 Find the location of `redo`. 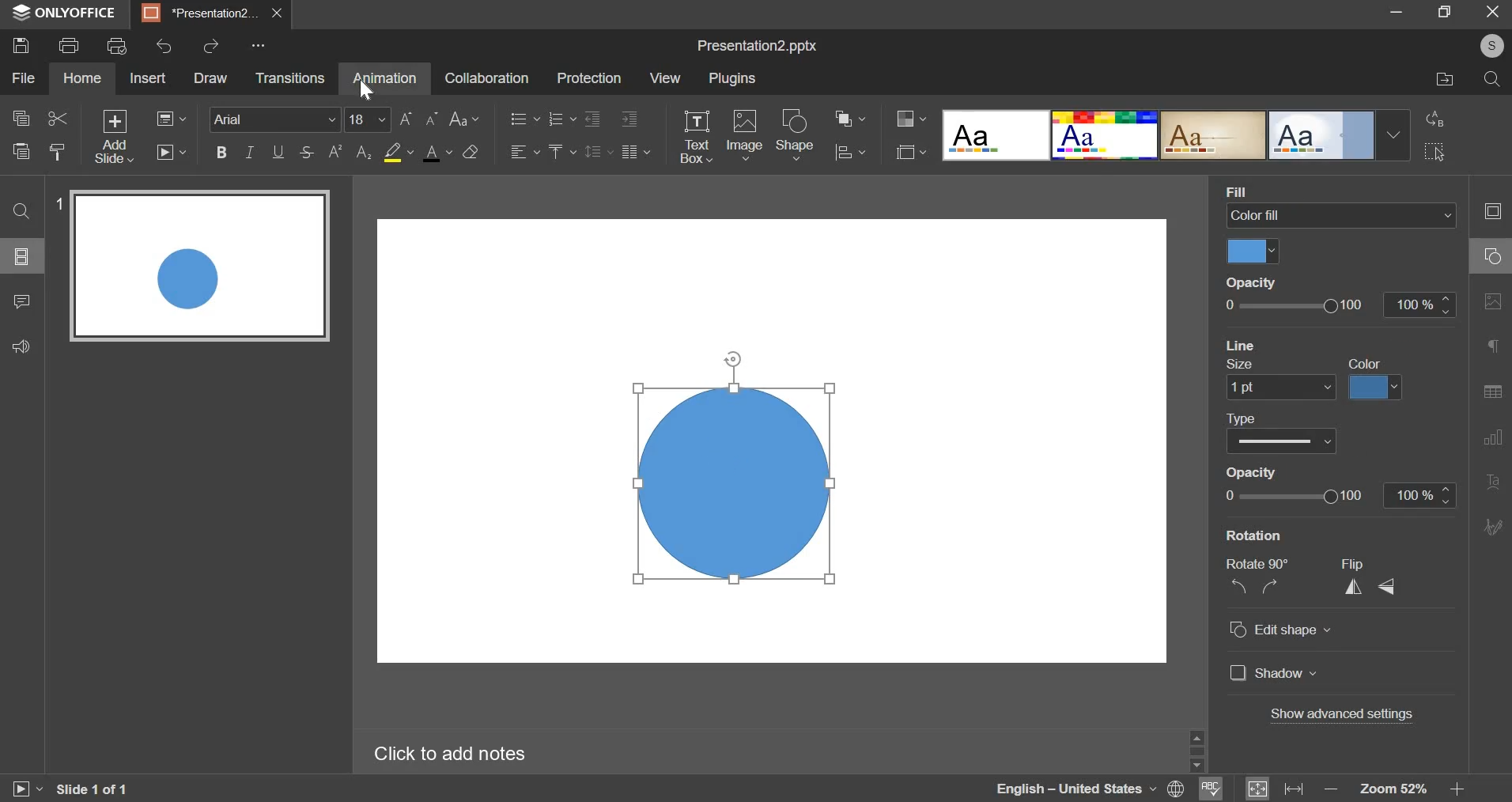

redo is located at coordinates (213, 47).